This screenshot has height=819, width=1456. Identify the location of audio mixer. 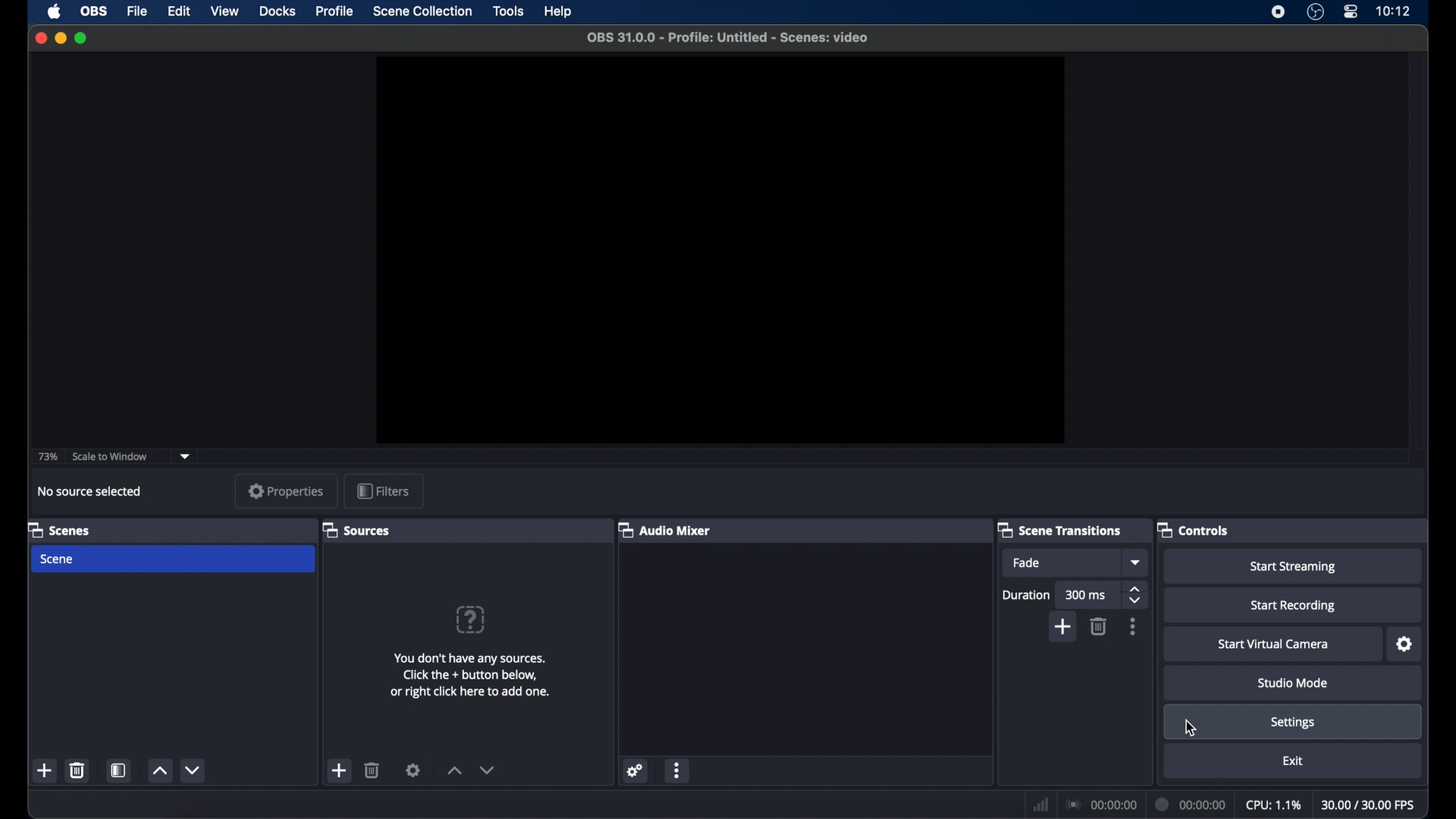
(666, 532).